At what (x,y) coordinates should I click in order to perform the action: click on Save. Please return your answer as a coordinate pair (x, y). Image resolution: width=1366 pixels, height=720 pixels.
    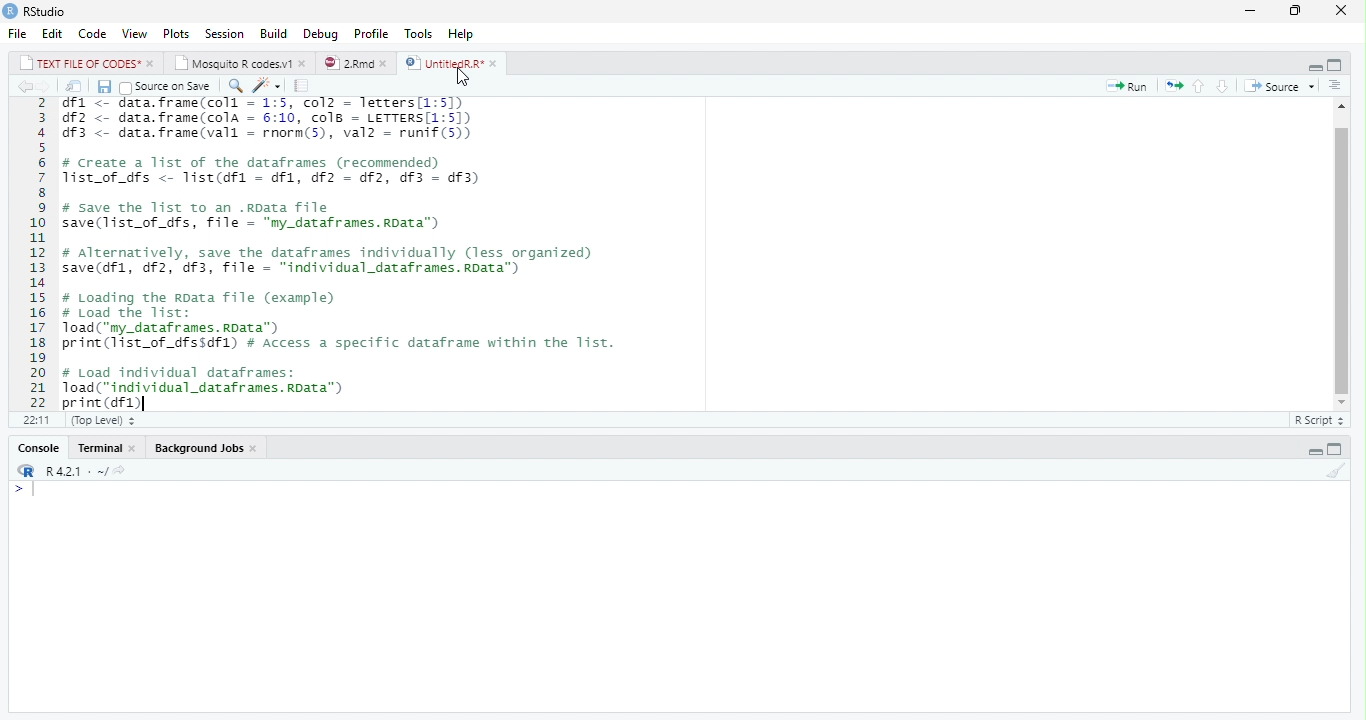
    Looking at the image, I should click on (105, 87).